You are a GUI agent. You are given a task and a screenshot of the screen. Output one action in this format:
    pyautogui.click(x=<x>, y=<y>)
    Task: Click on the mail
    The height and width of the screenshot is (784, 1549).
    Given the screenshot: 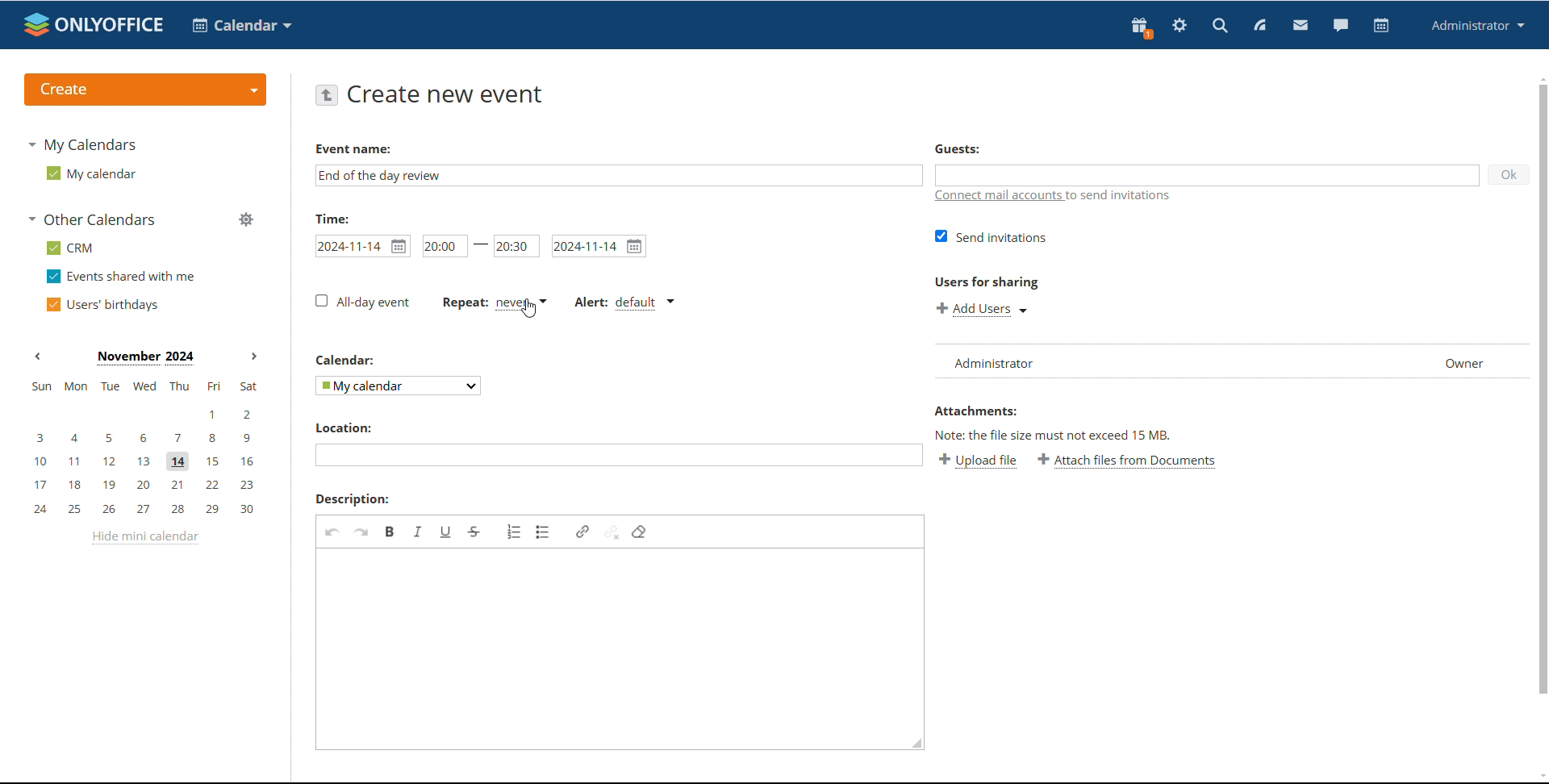 What is the action you would take?
    pyautogui.click(x=1301, y=27)
    